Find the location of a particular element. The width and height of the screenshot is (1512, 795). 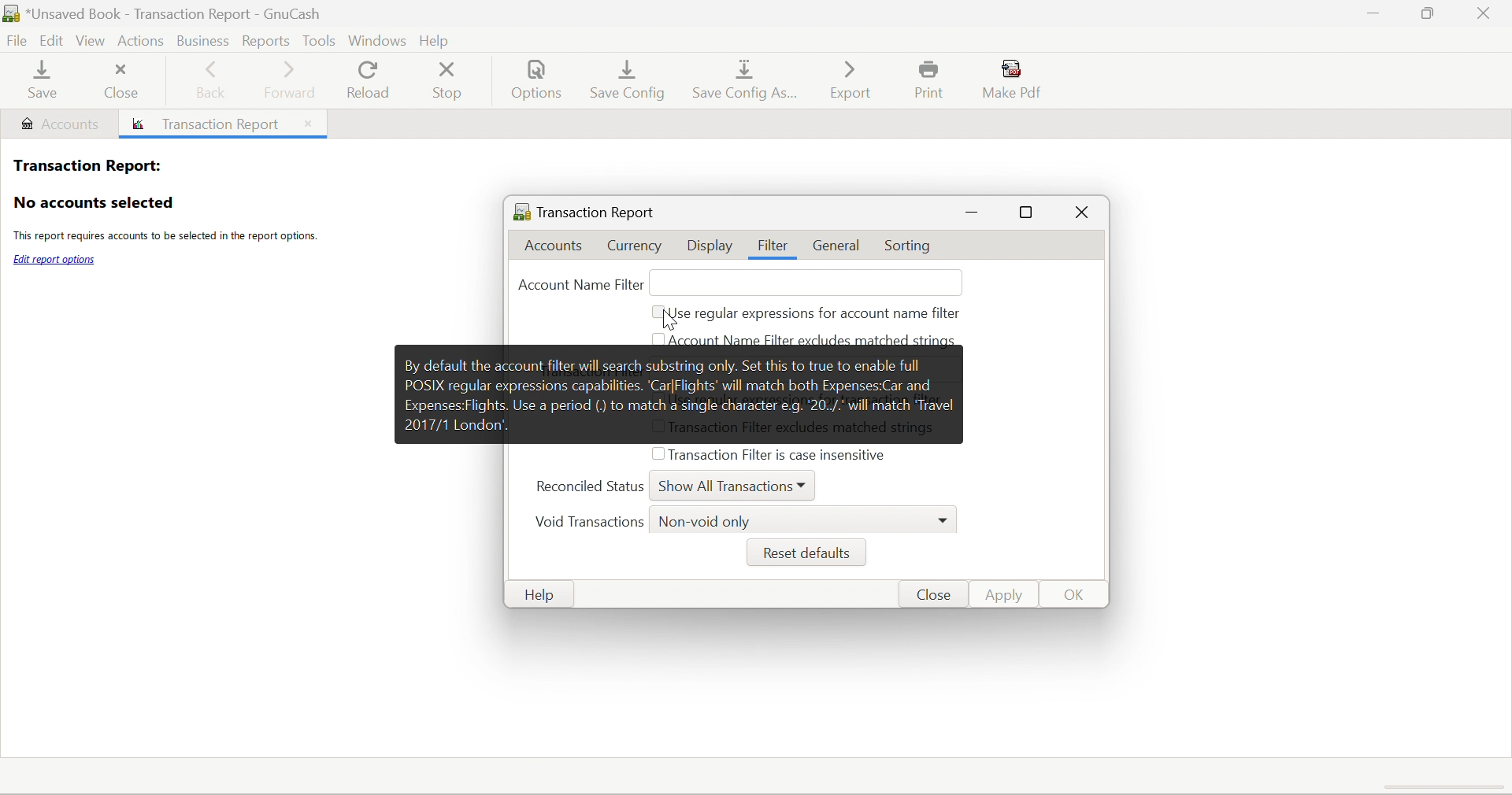

Edit is located at coordinates (54, 41).